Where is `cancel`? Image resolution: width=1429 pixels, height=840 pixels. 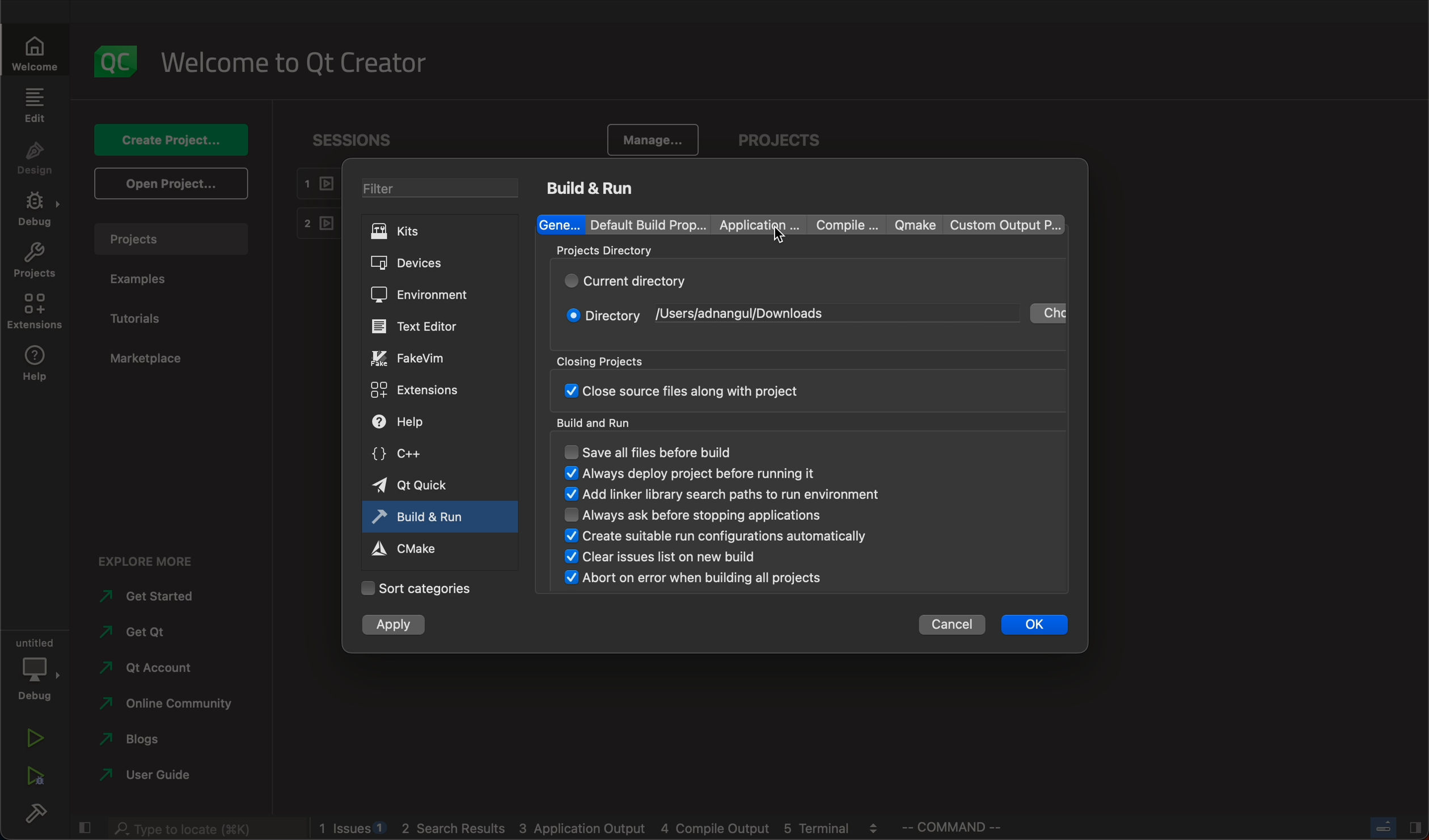 cancel is located at coordinates (951, 625).